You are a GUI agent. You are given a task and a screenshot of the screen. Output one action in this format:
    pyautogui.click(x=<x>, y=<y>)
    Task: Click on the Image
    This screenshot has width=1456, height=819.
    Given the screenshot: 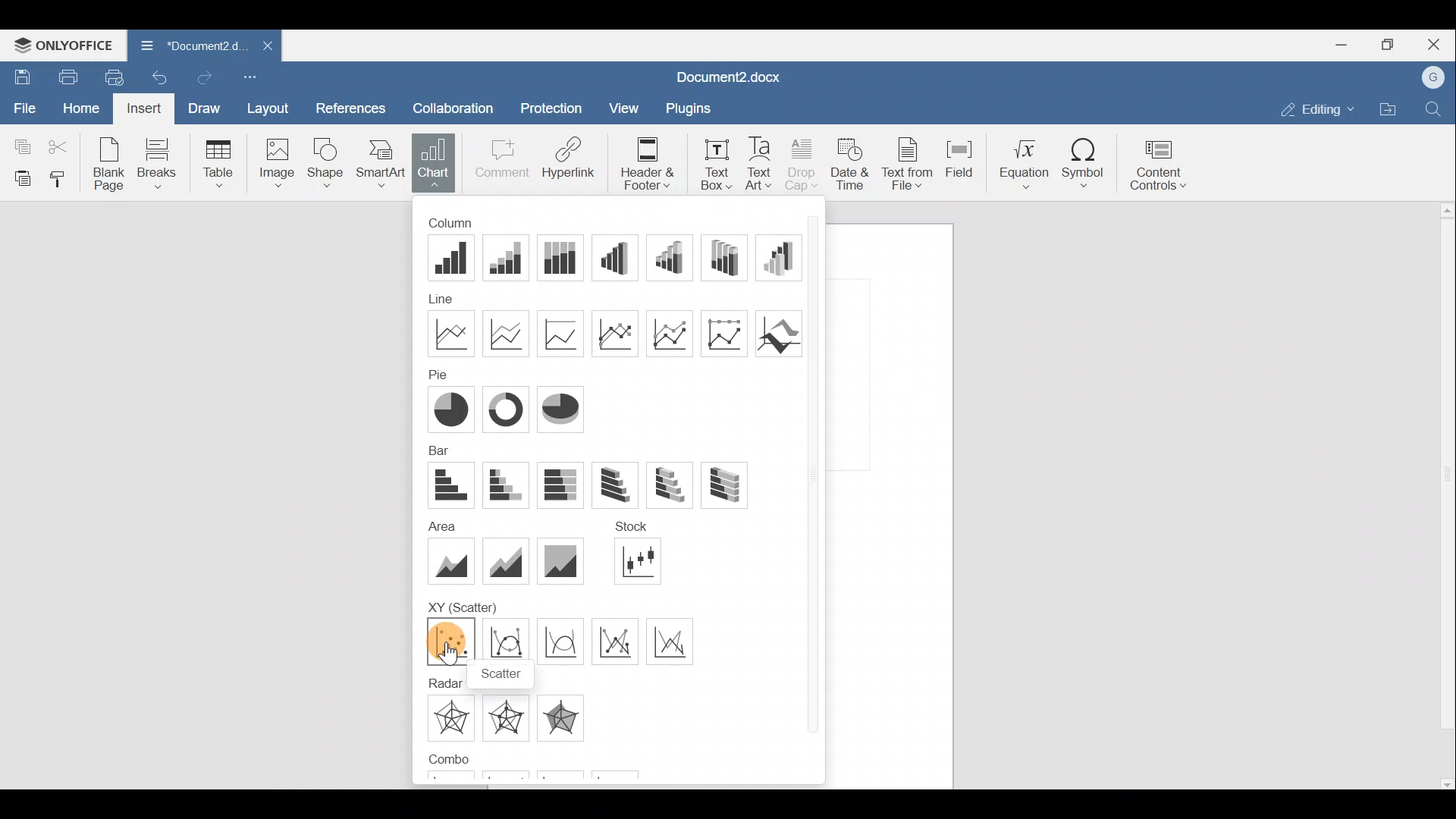 What is the action you would take?
    pyautogui.click(x=274, y=165)
    